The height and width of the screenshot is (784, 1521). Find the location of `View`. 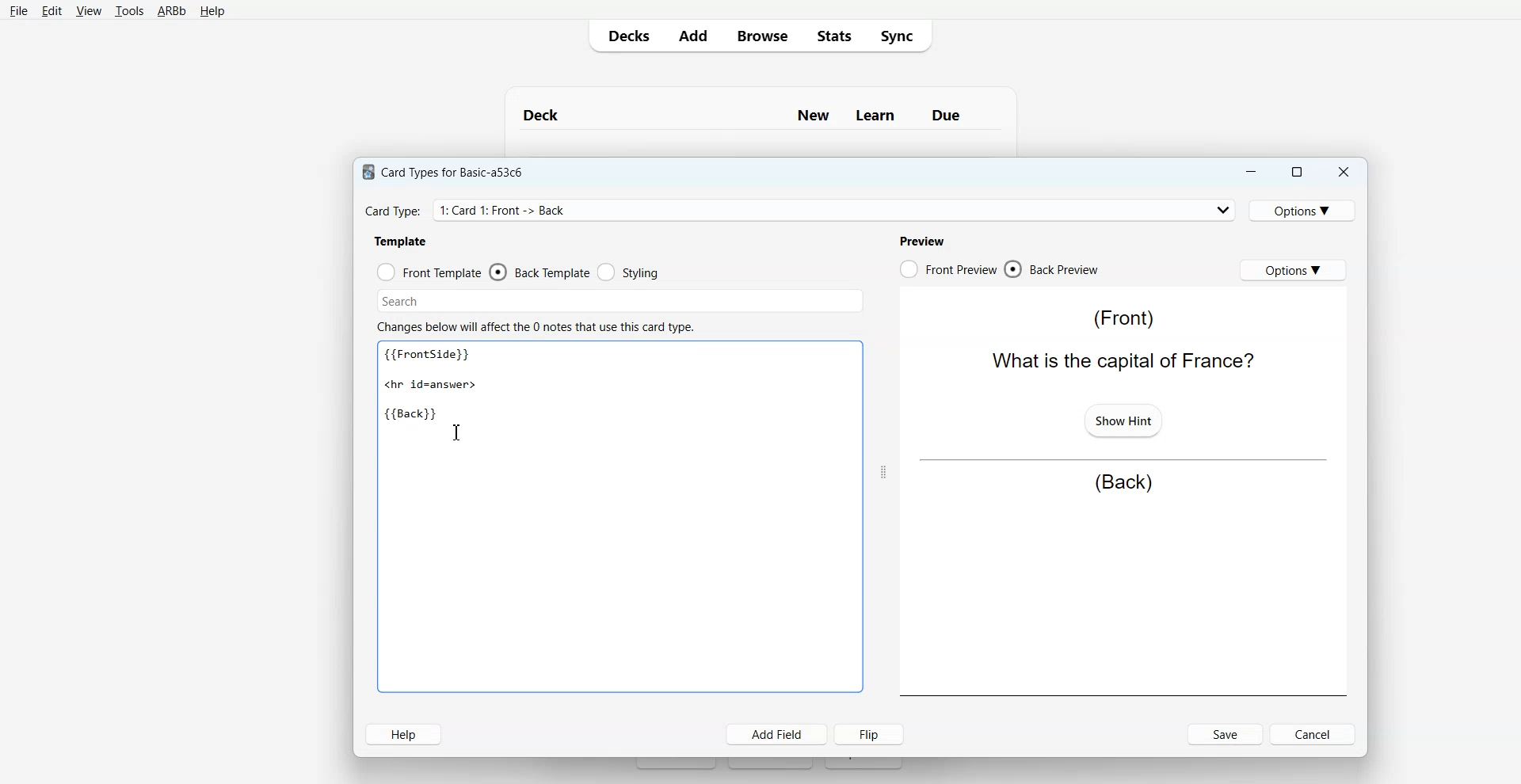

View is located at coordinates (89, 11).